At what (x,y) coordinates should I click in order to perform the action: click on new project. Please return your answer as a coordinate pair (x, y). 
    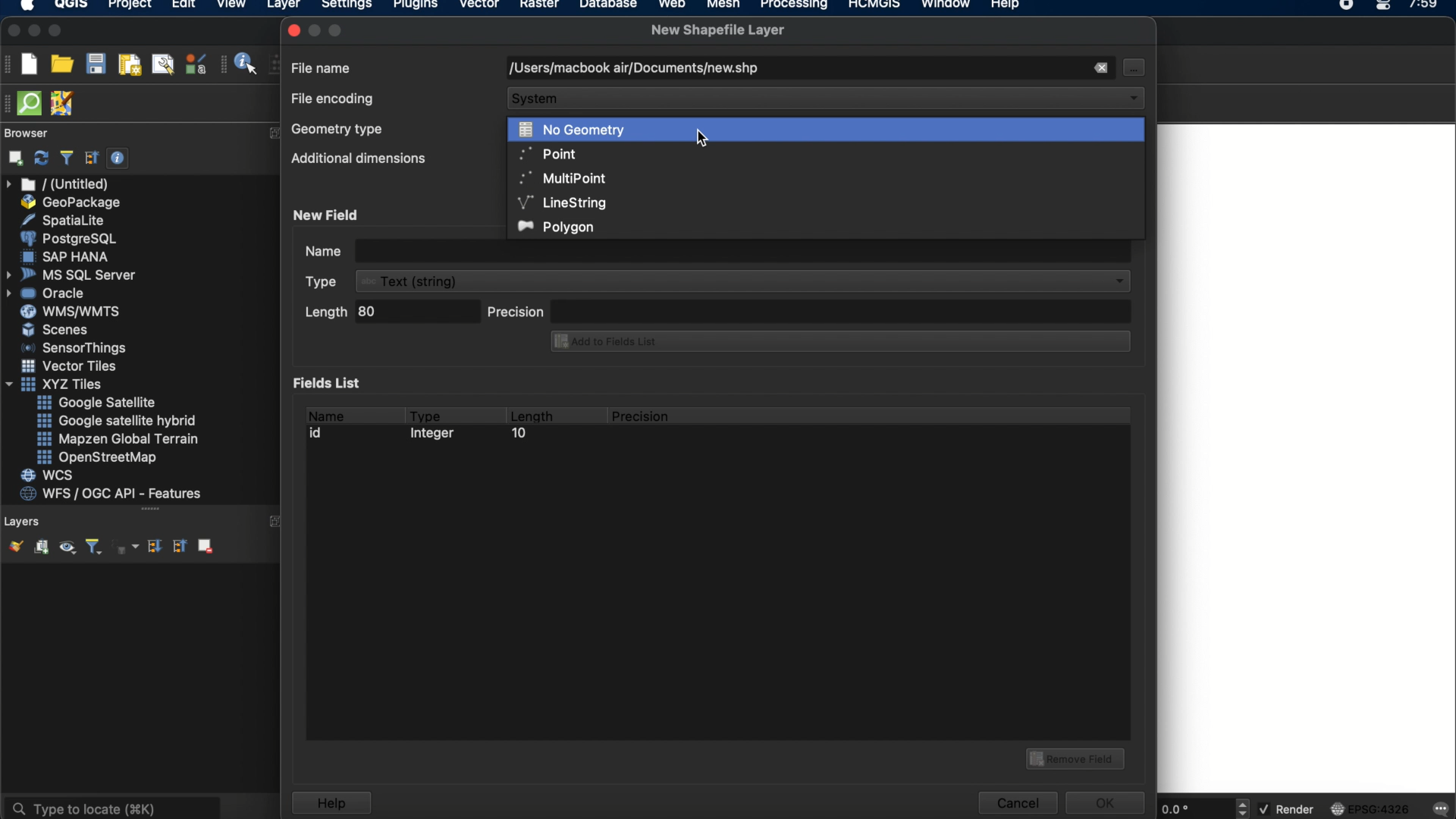
    Looking at the image, I should click on (29, 64).